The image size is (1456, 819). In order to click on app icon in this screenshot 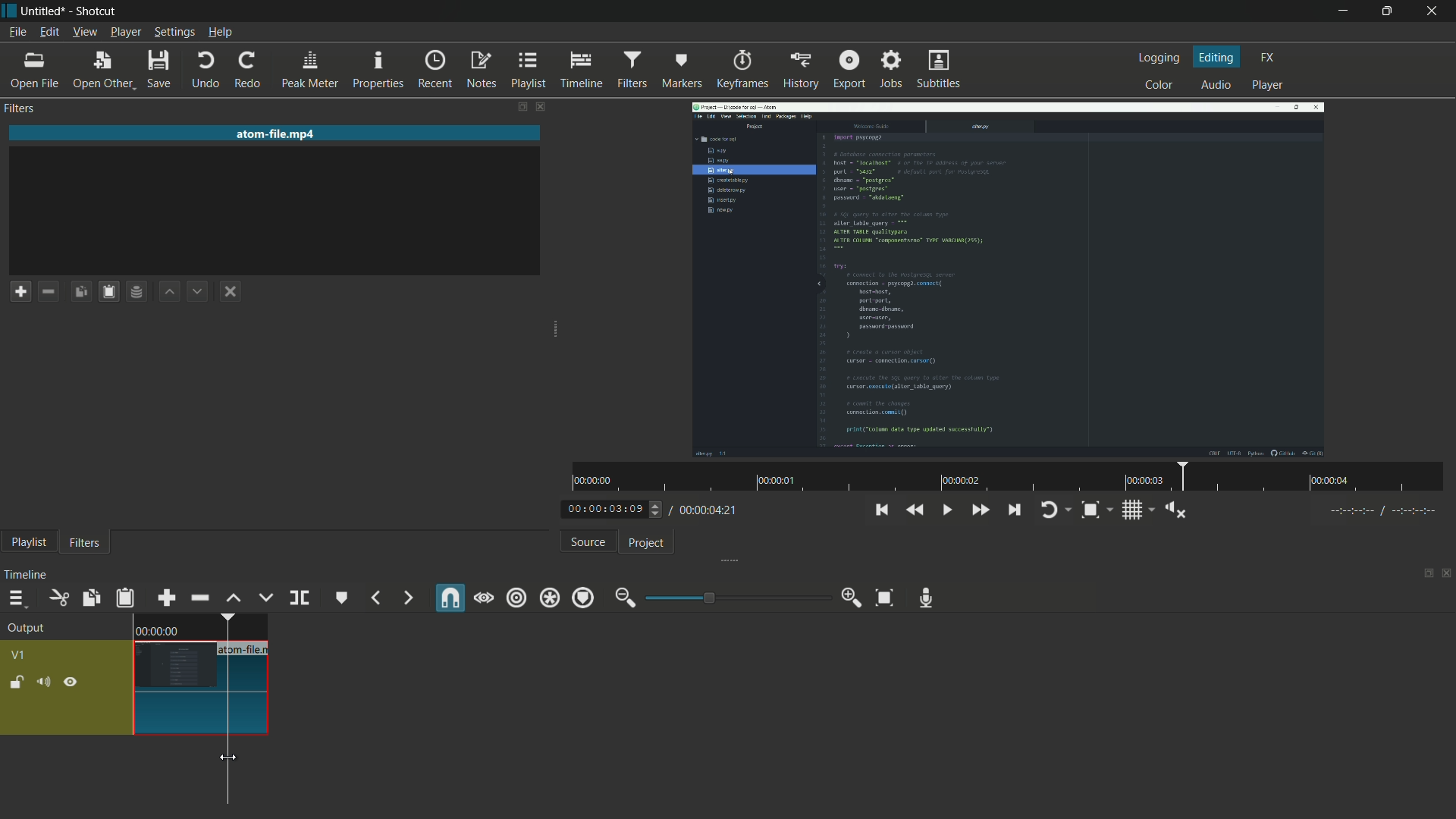, I will do `click(10, 14)`.